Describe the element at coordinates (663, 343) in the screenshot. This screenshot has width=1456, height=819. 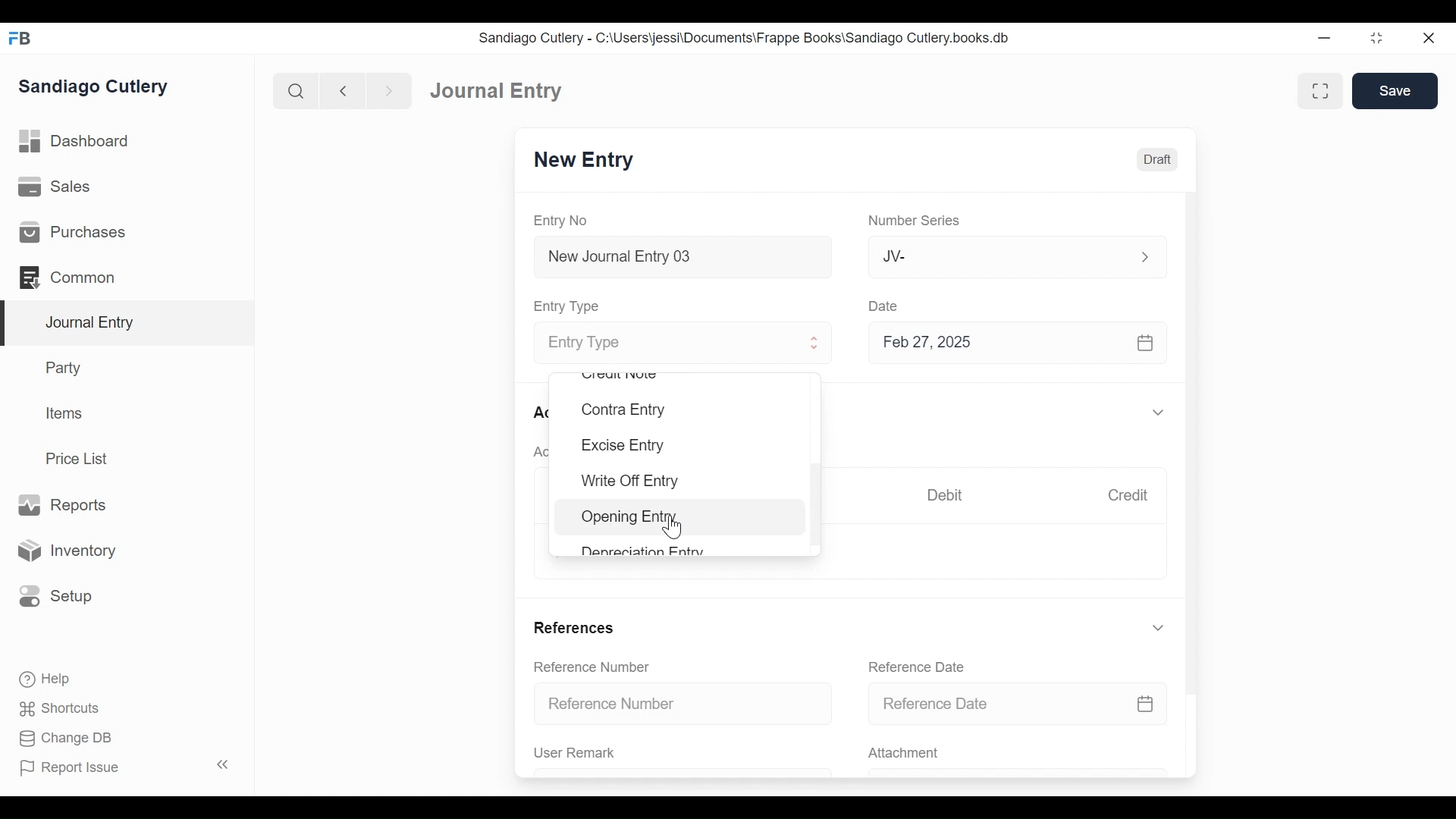
I see `Entry Type` at that location.